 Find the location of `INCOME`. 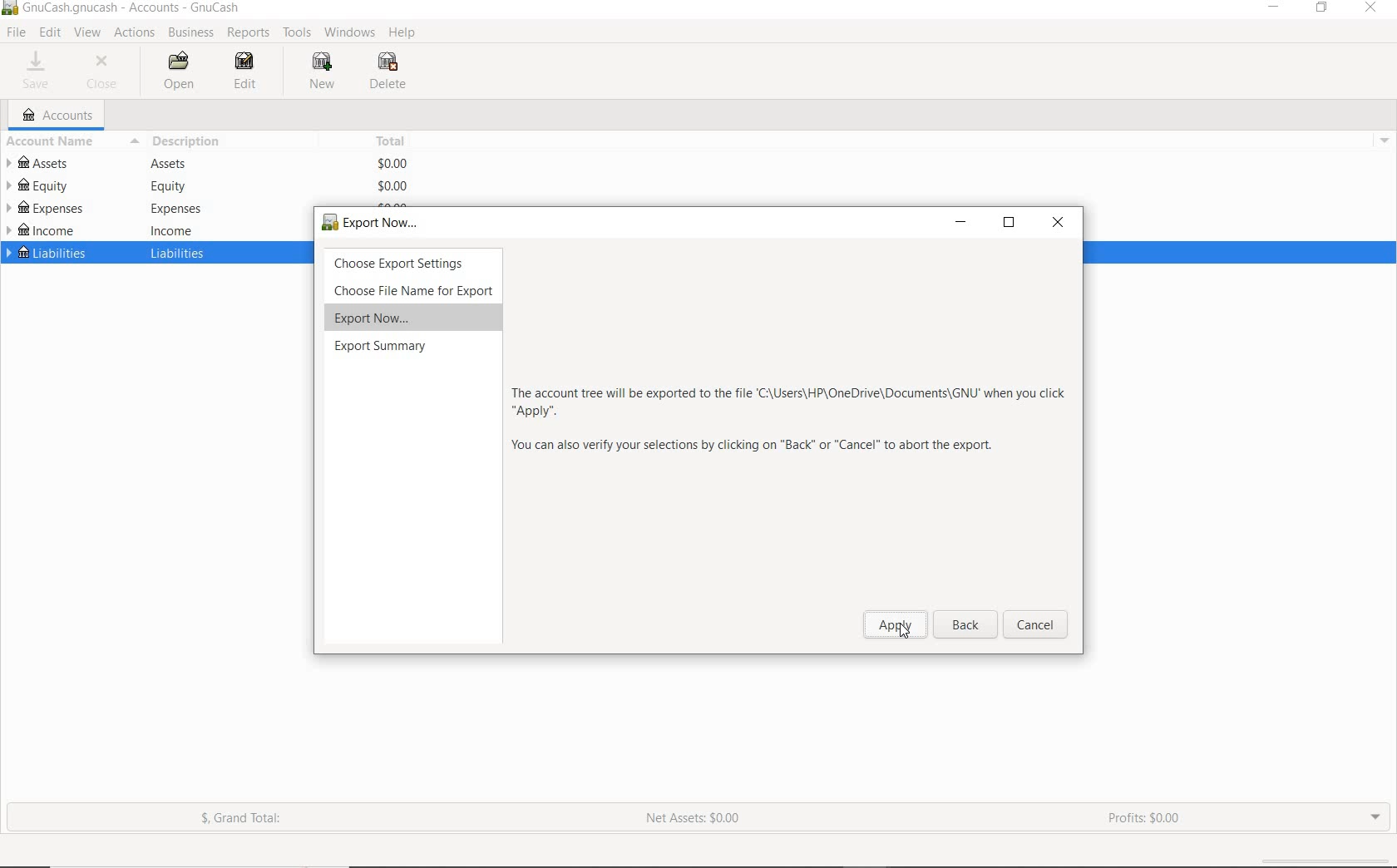

INCOME is located at coordinates (44, 230).